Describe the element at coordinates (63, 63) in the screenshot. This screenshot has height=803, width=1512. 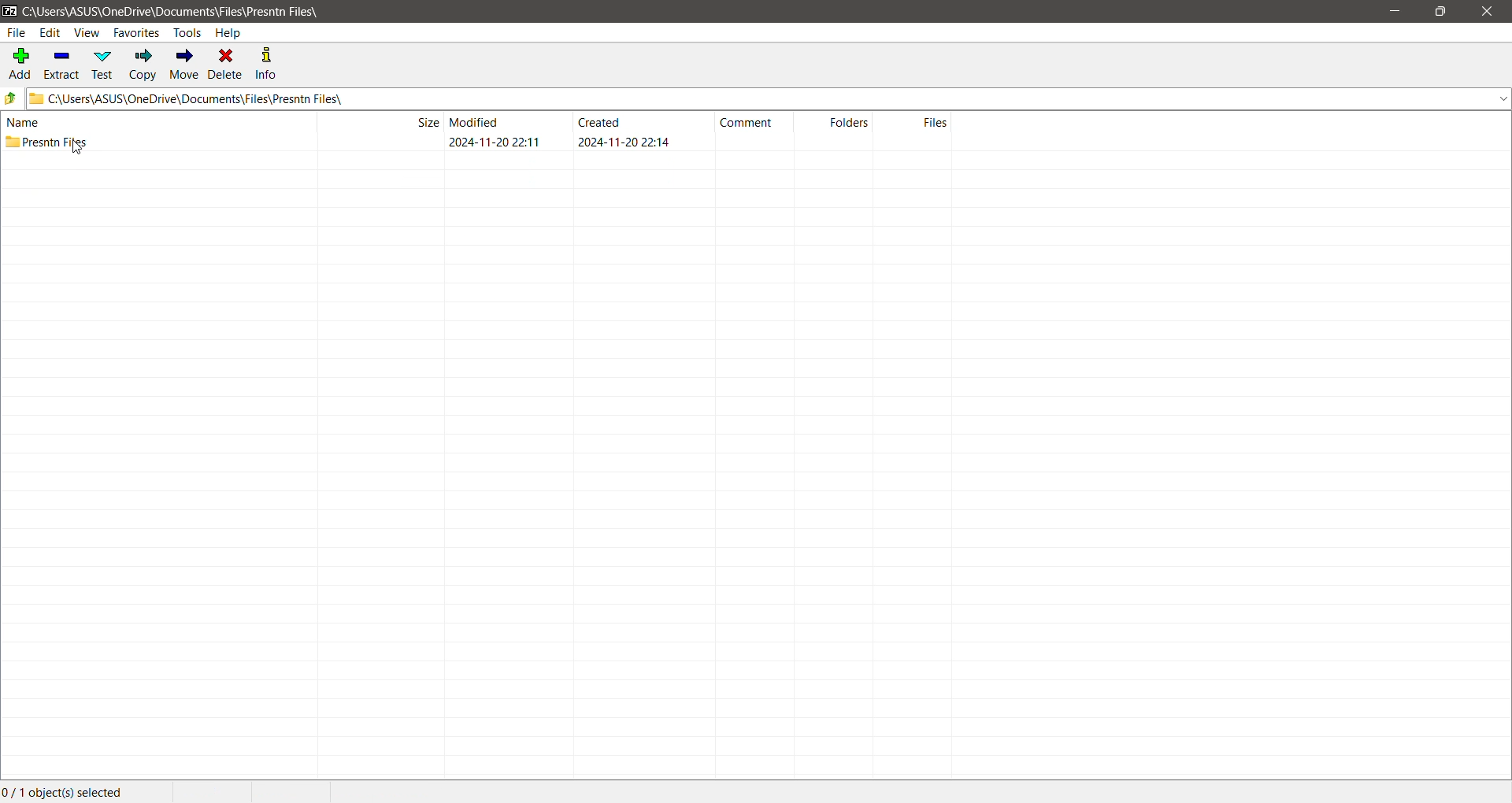
I see `Extract` at that location.